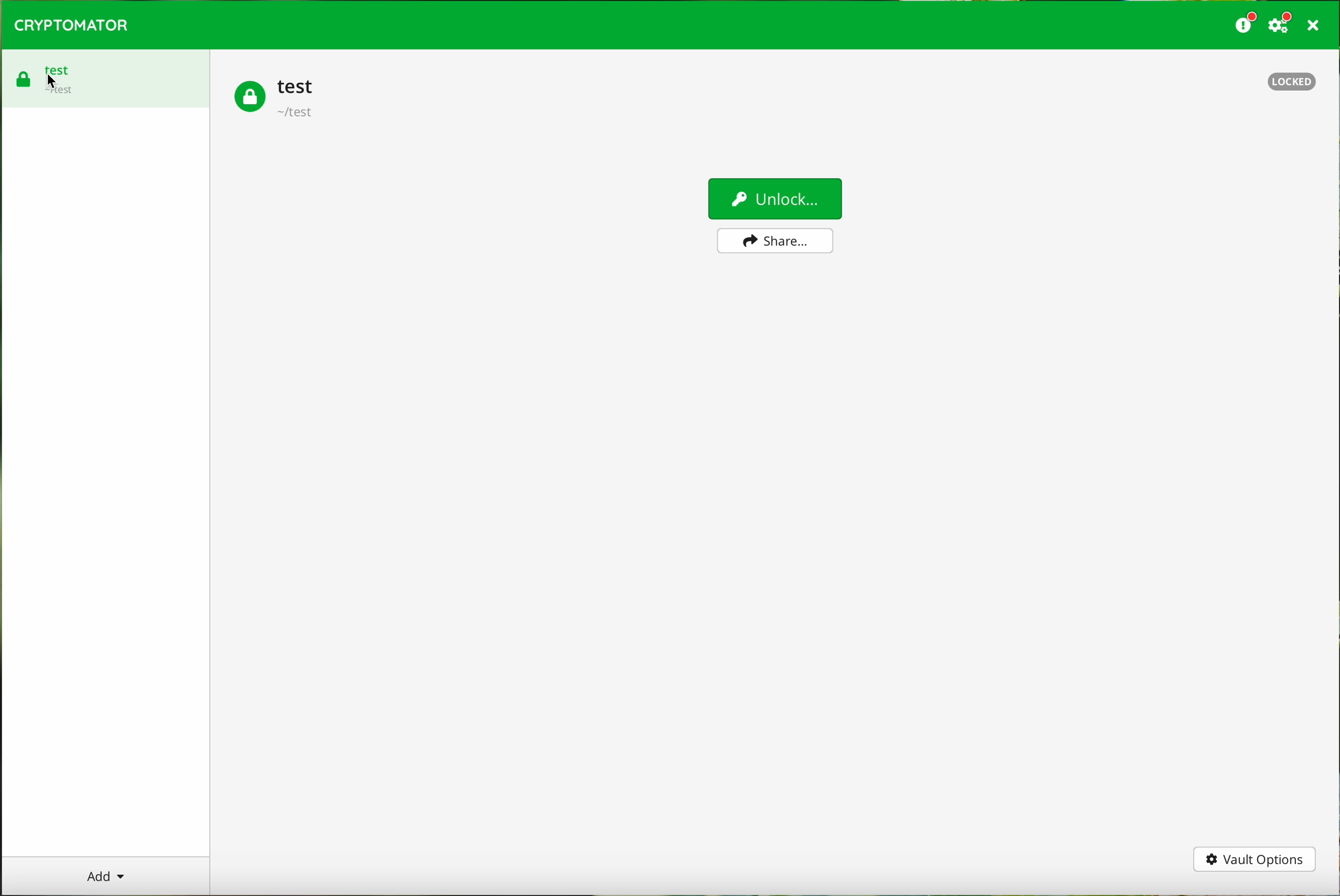 The width and height of the screenshot is (1340, 896). I want to click on add, so click(106, 875).